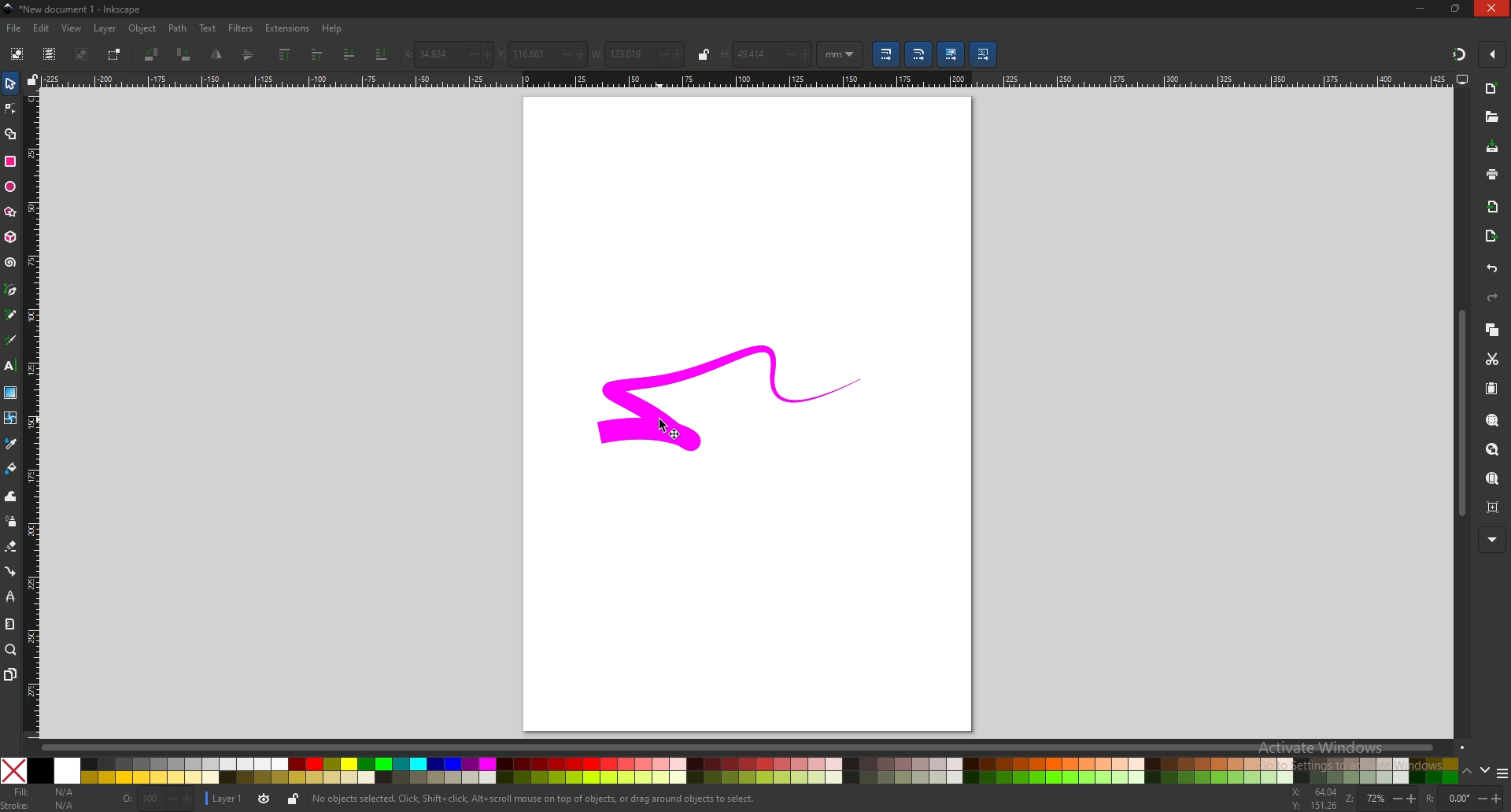 The height and width of the screenshot is (812, 1511). I want to click on extensions, so click(289, 28).